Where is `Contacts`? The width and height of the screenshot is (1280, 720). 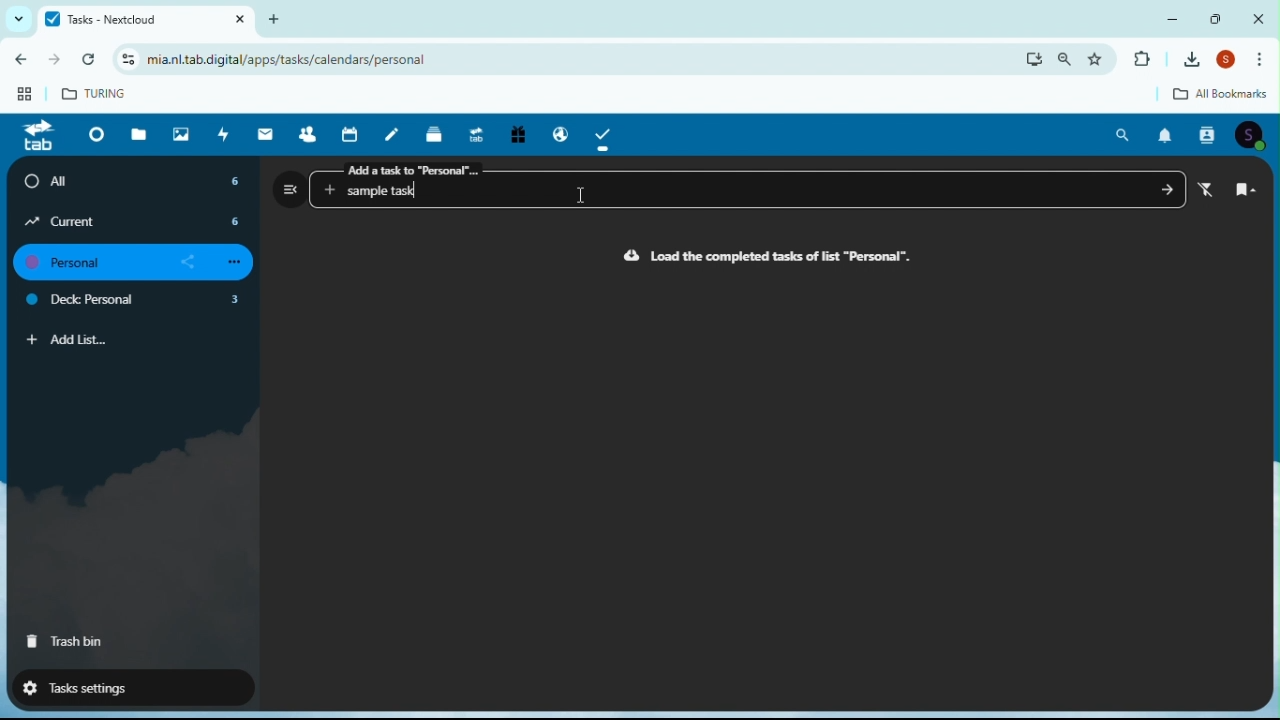 Contacts is located at coordinates (307, 133).